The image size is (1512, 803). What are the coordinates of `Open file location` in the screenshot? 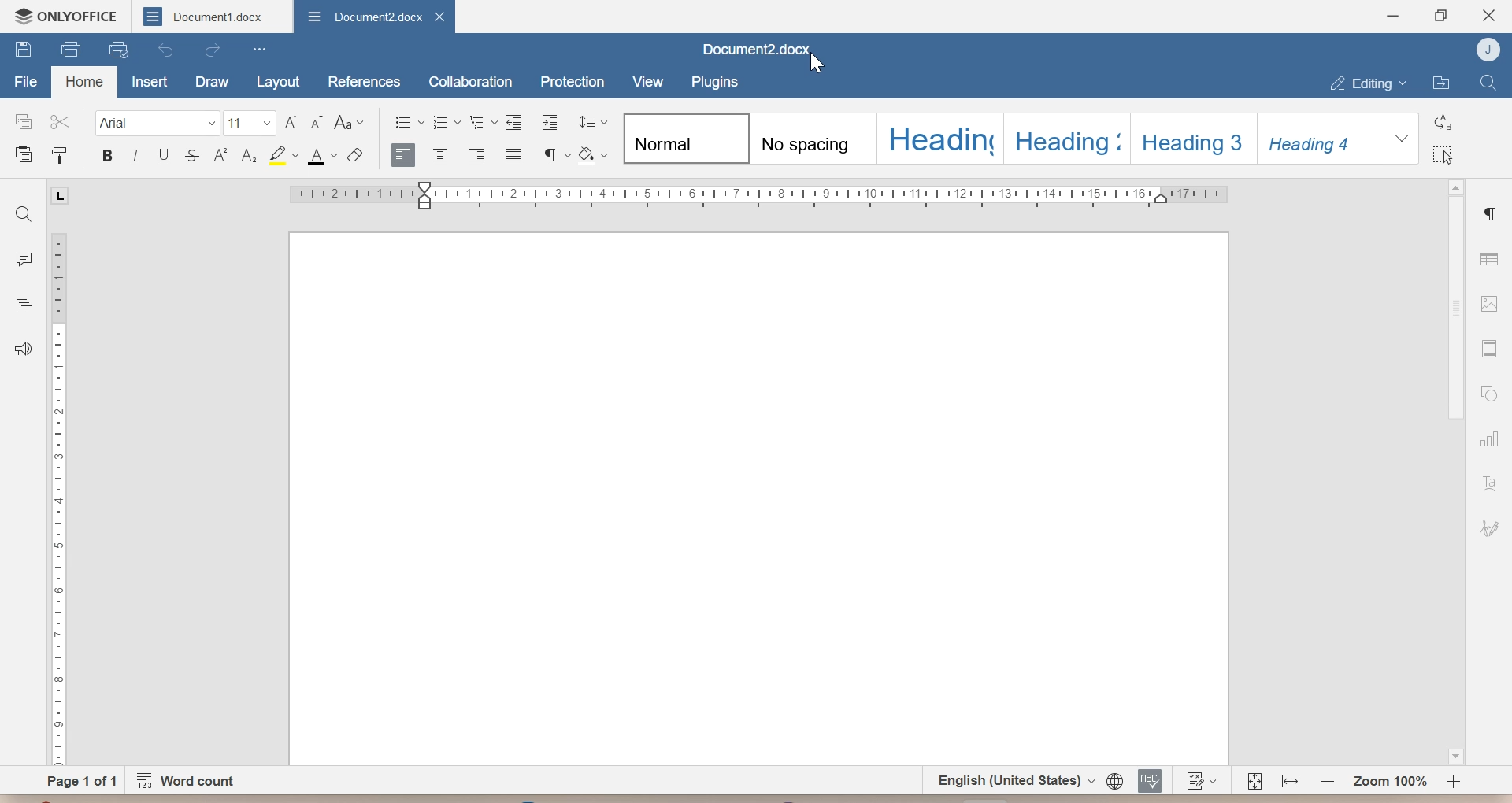 It's located at (1443, 83).